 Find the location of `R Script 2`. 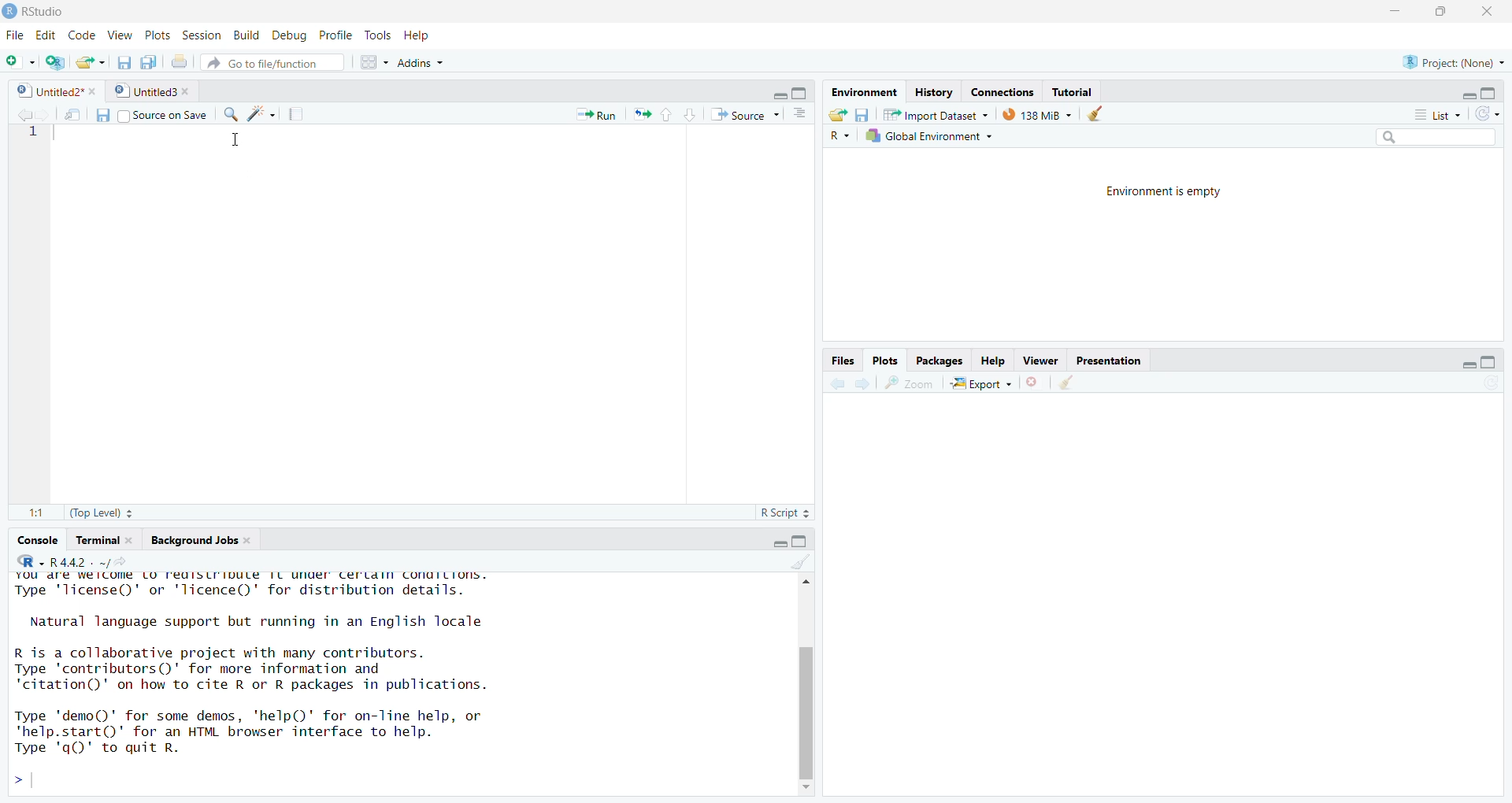

R Script 2 is located at coordinates (776, 513).